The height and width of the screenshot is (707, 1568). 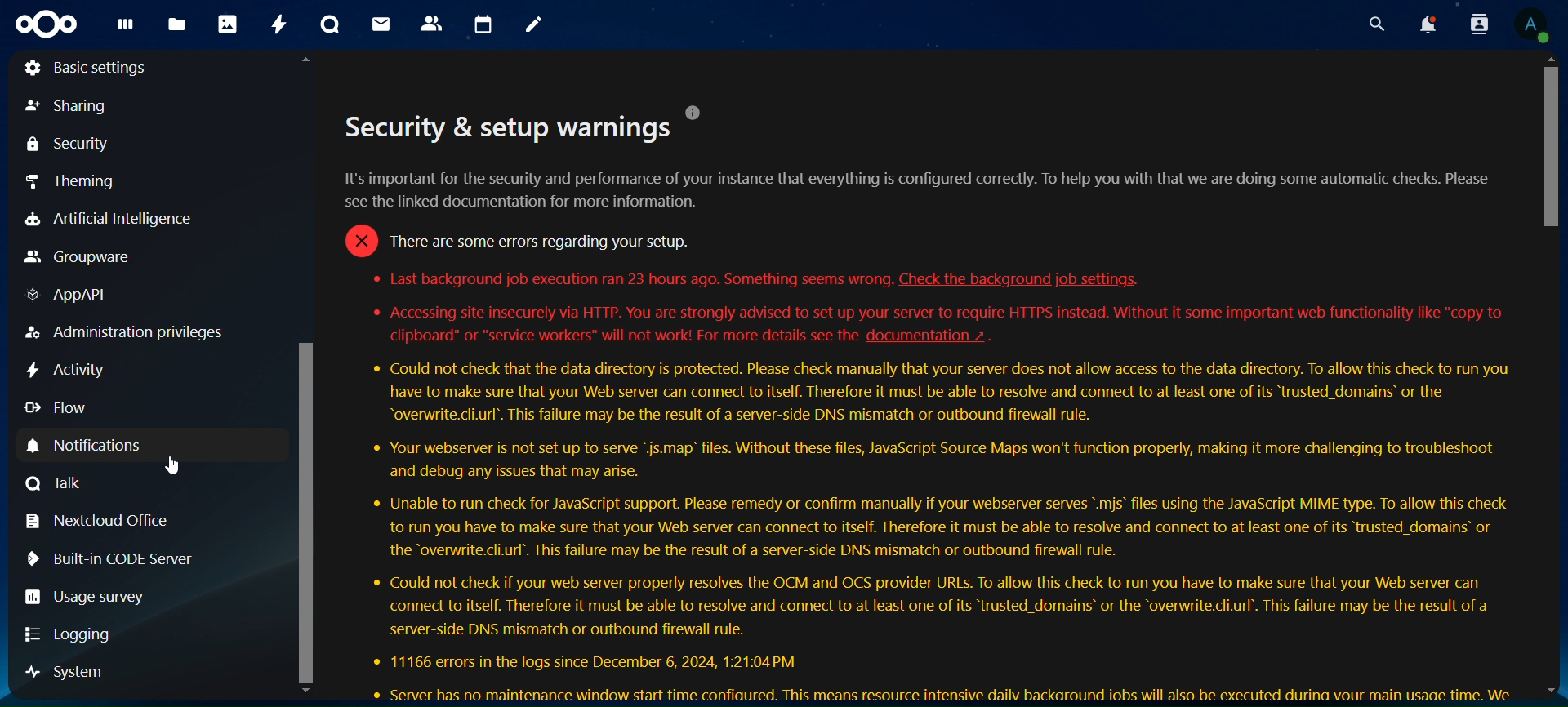 I want to click on calendar, so click(x=481, y=23).